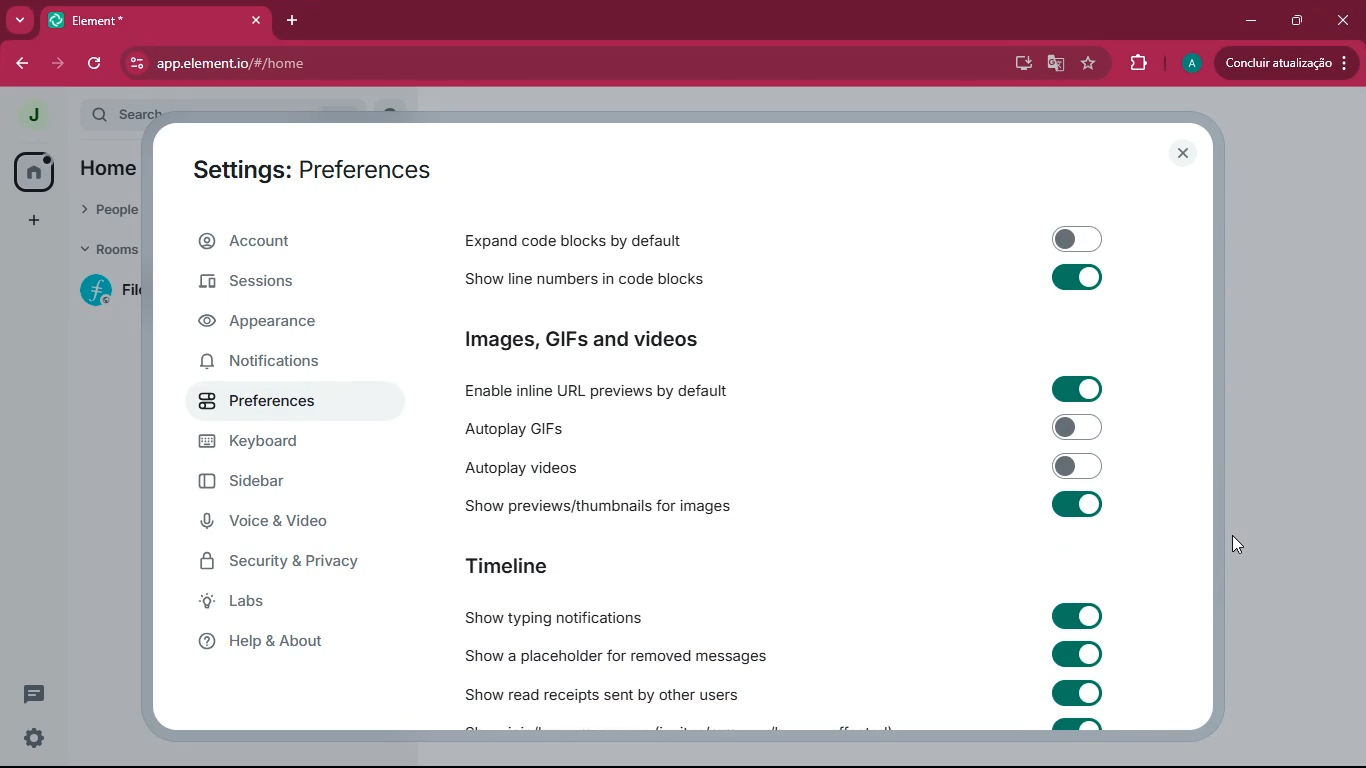  What do you see at coordinates (1182, 153) in the screenshot?
I see `close` at bounding box center [1182, 153].